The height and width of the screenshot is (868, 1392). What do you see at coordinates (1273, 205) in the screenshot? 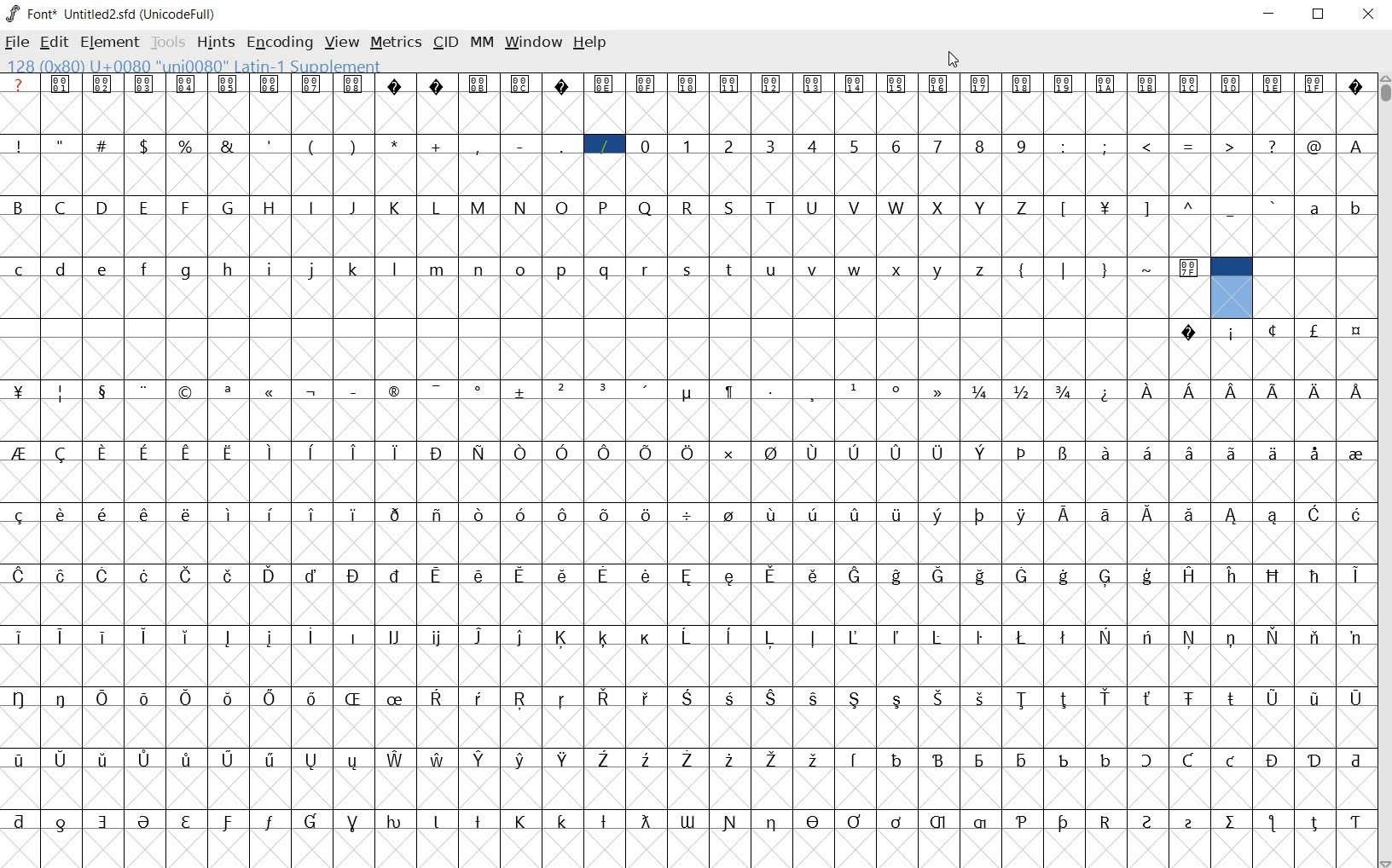
I see ``` at bounding box center [1273, 205].